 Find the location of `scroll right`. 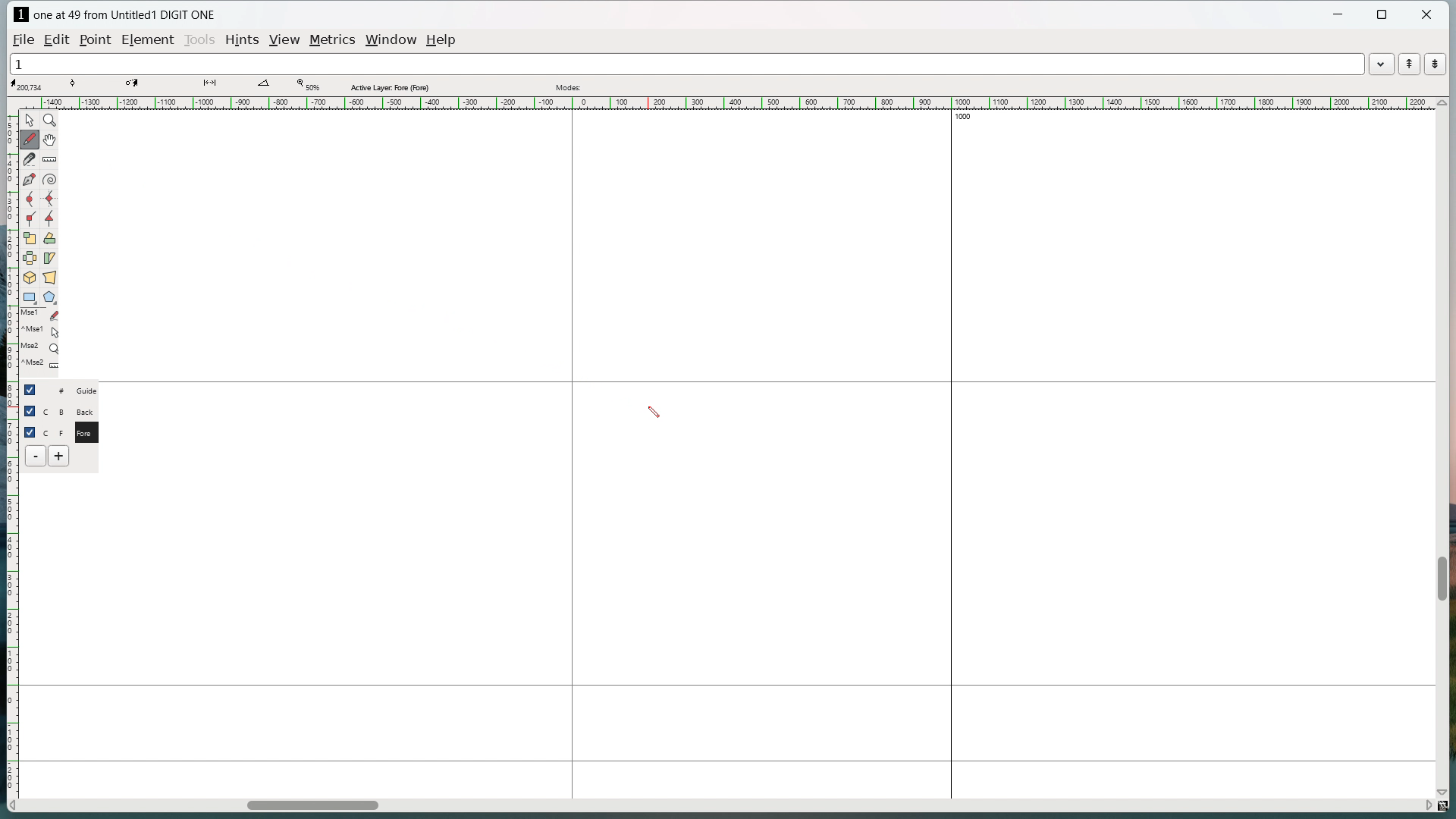

scroll right is located at coordinates (1426, 804).